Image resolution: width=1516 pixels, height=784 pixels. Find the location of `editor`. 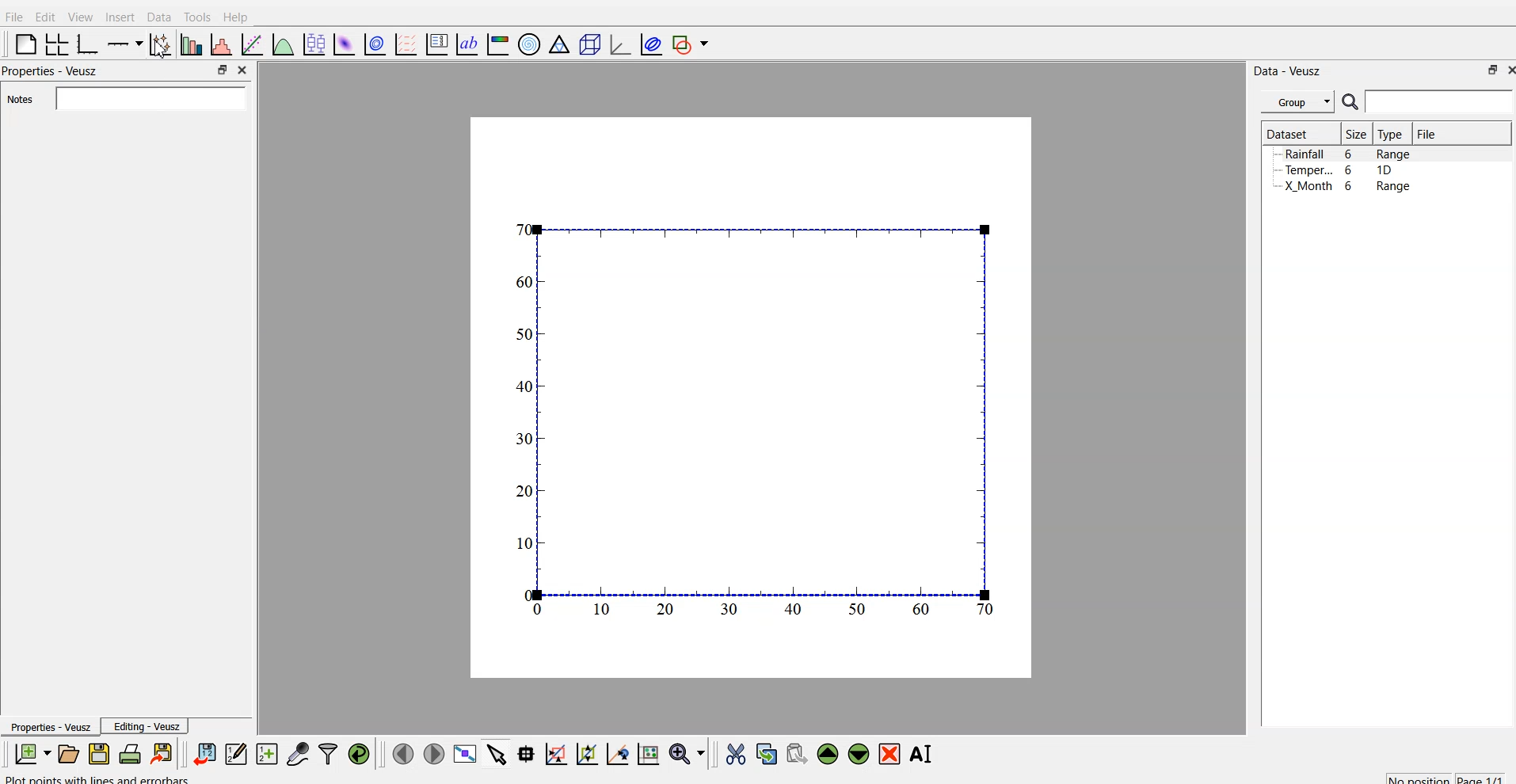

editor is located at coordinates (236, 752).